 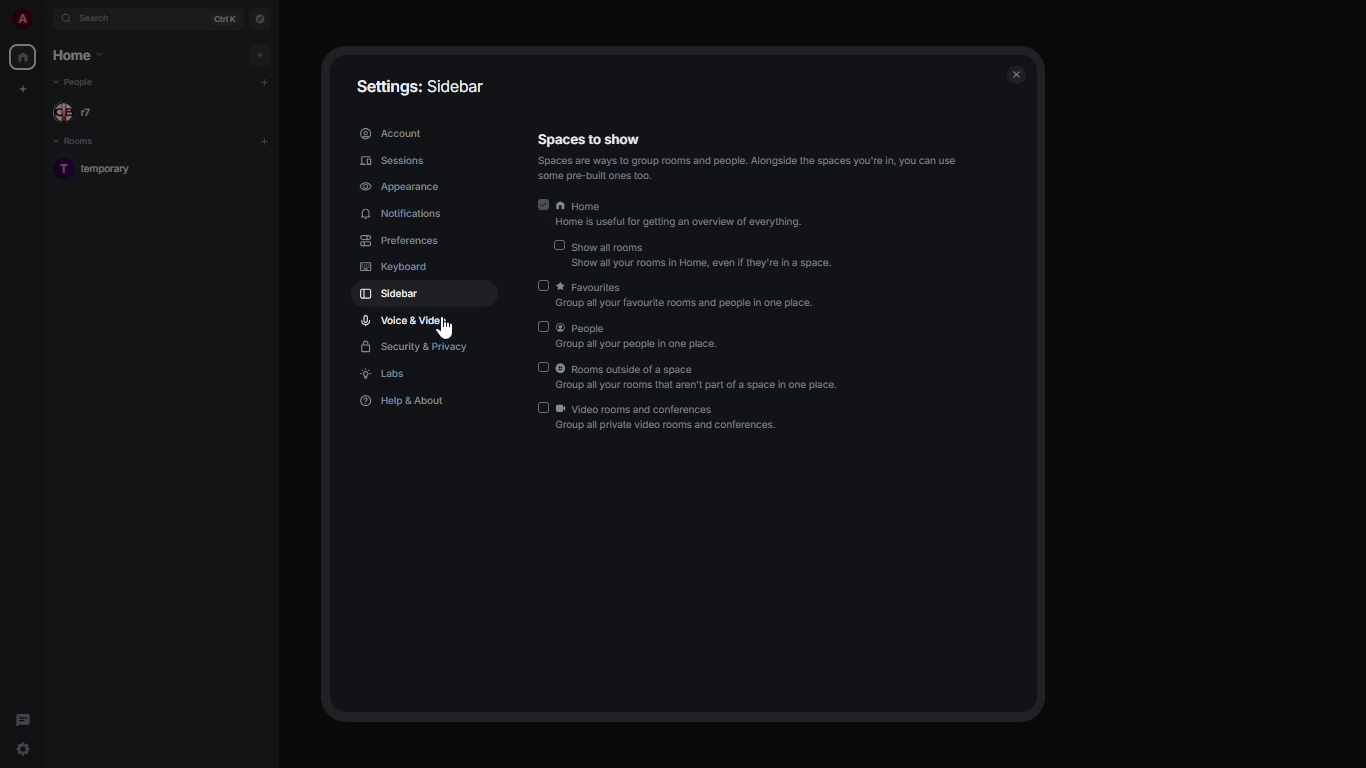 What do you see at coordinates (1016, 72) in the screenshot?
I see `close` at bounding box center [1016, 72].